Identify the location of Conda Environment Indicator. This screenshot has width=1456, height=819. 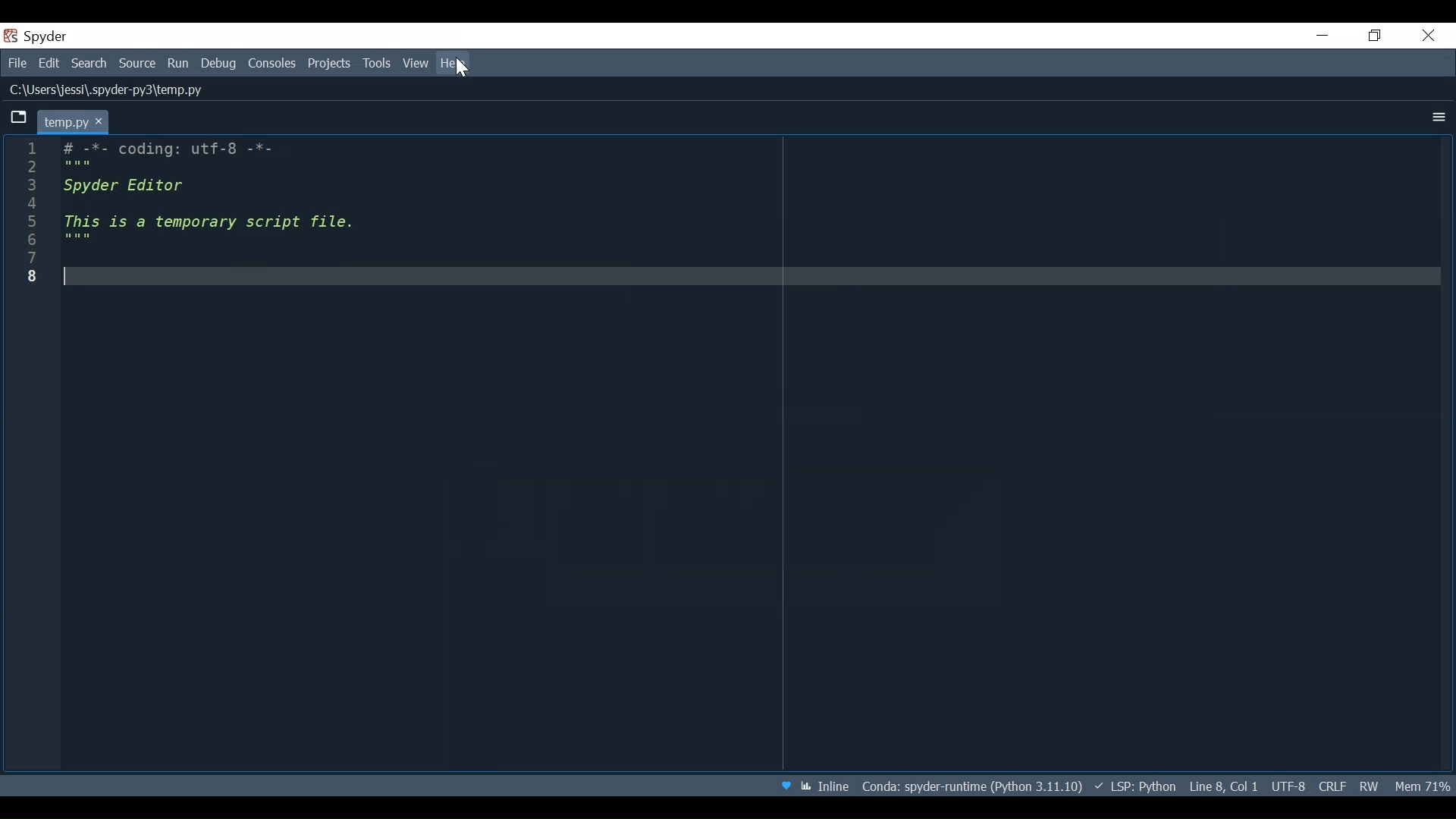
(975, 789).